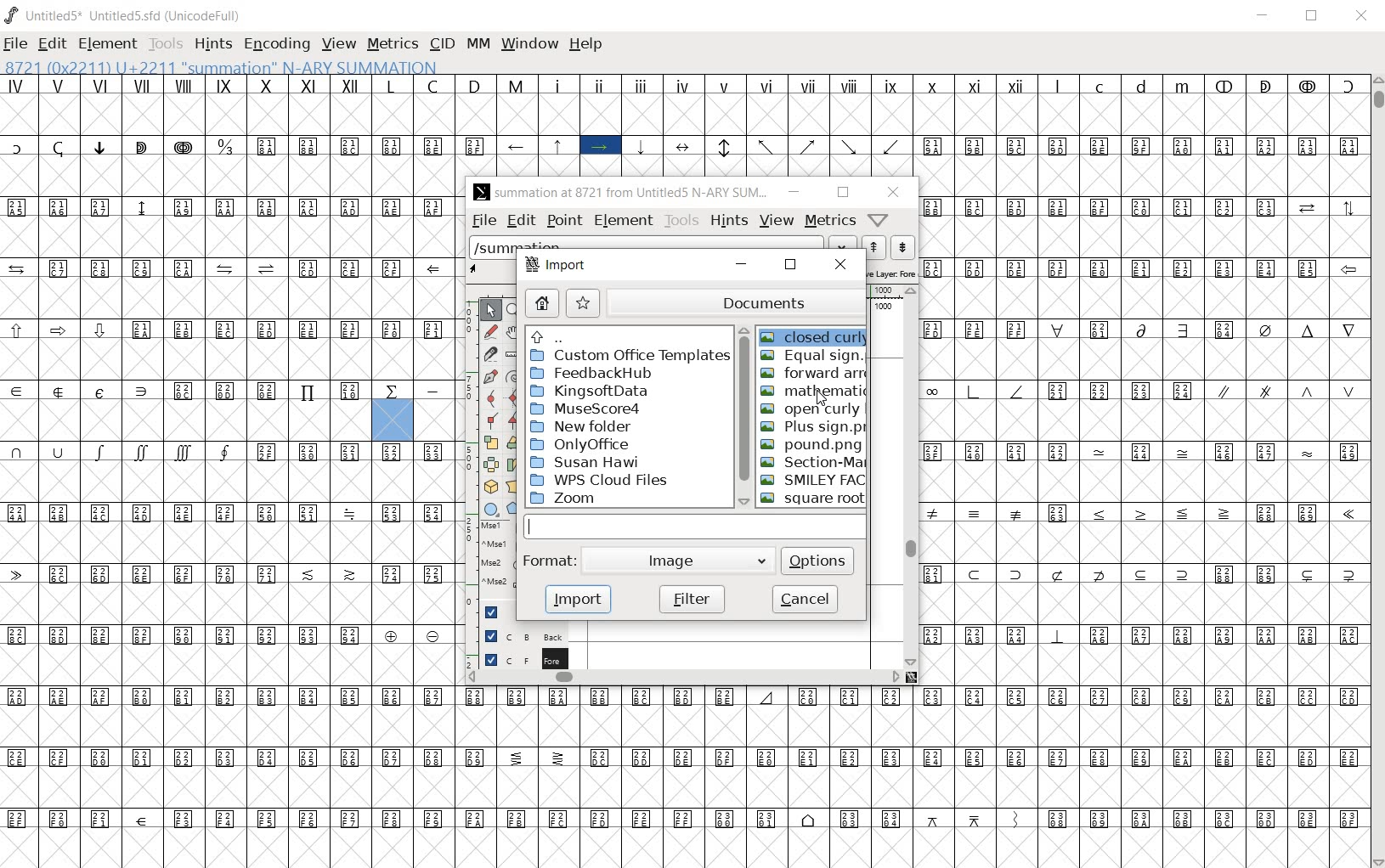 This screenshot has width=1385, height=868. What do you see at coordinates (514, 354) in the screenshot?
I see `measure a distance, angle between points` at bounding box center [514, 354].